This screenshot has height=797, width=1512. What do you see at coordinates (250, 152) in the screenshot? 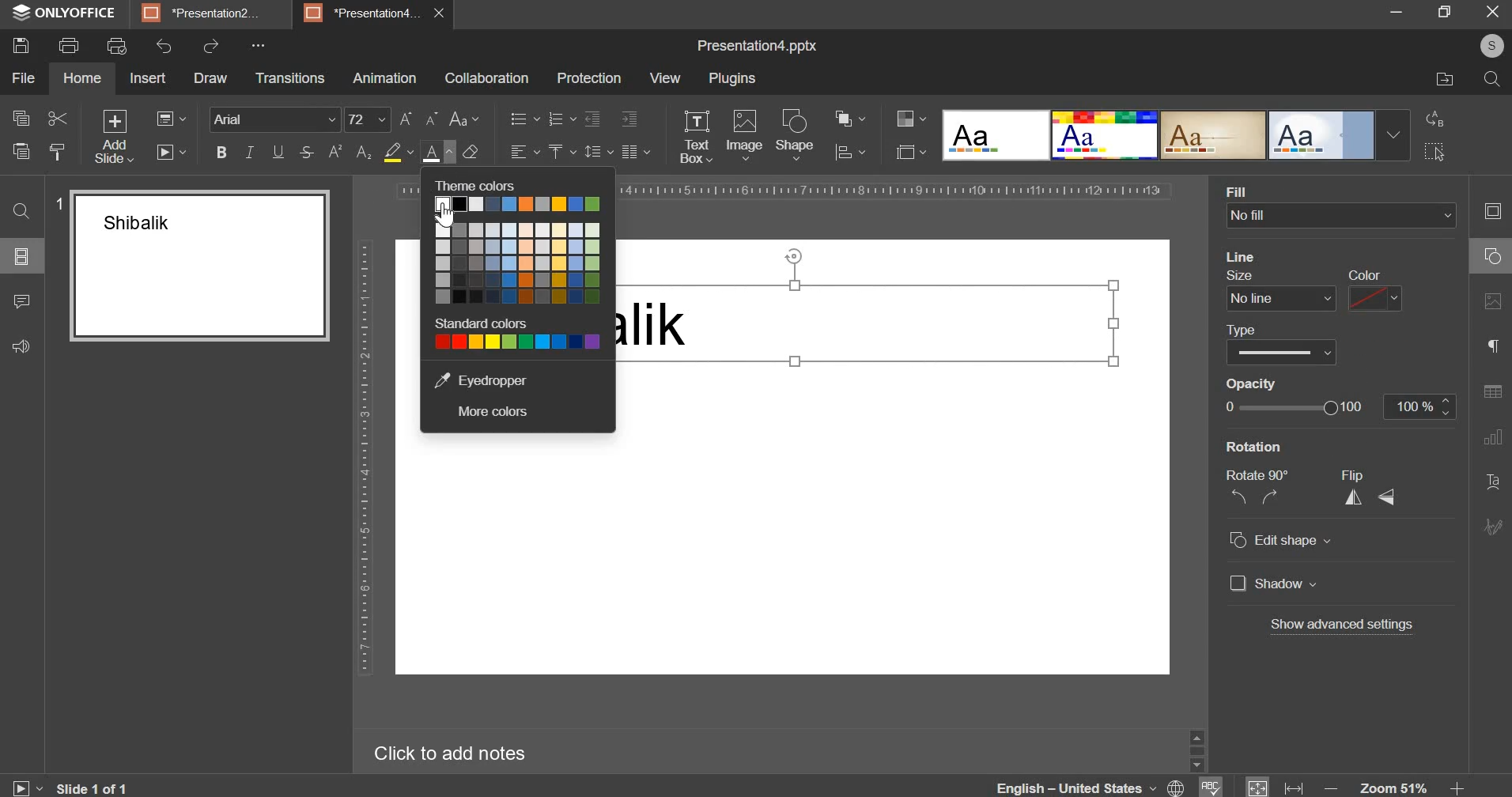
I see `italics` at bounding box center [250, 152].